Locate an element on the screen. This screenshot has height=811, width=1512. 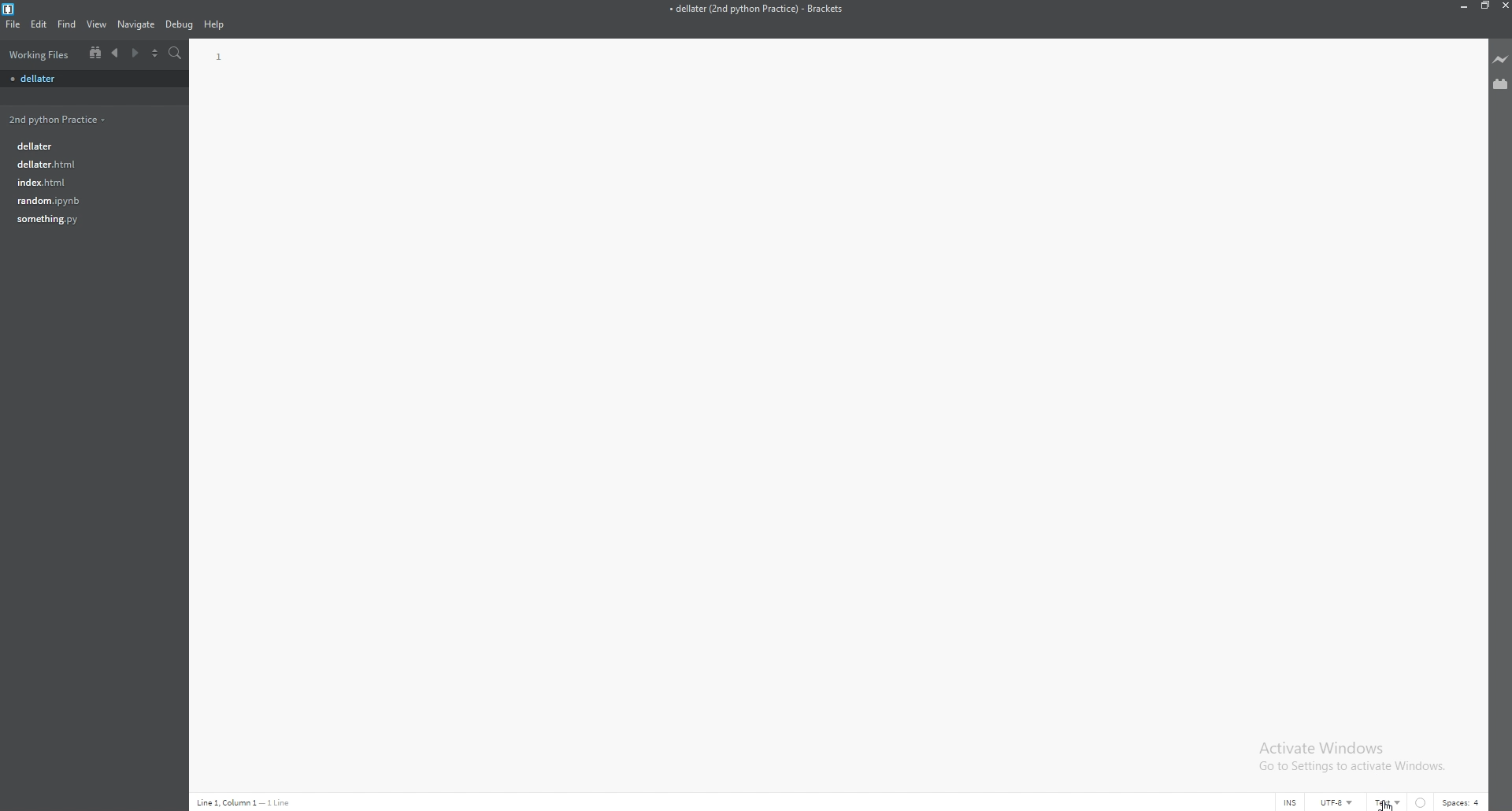
debug is located at coordinates (180, 24).